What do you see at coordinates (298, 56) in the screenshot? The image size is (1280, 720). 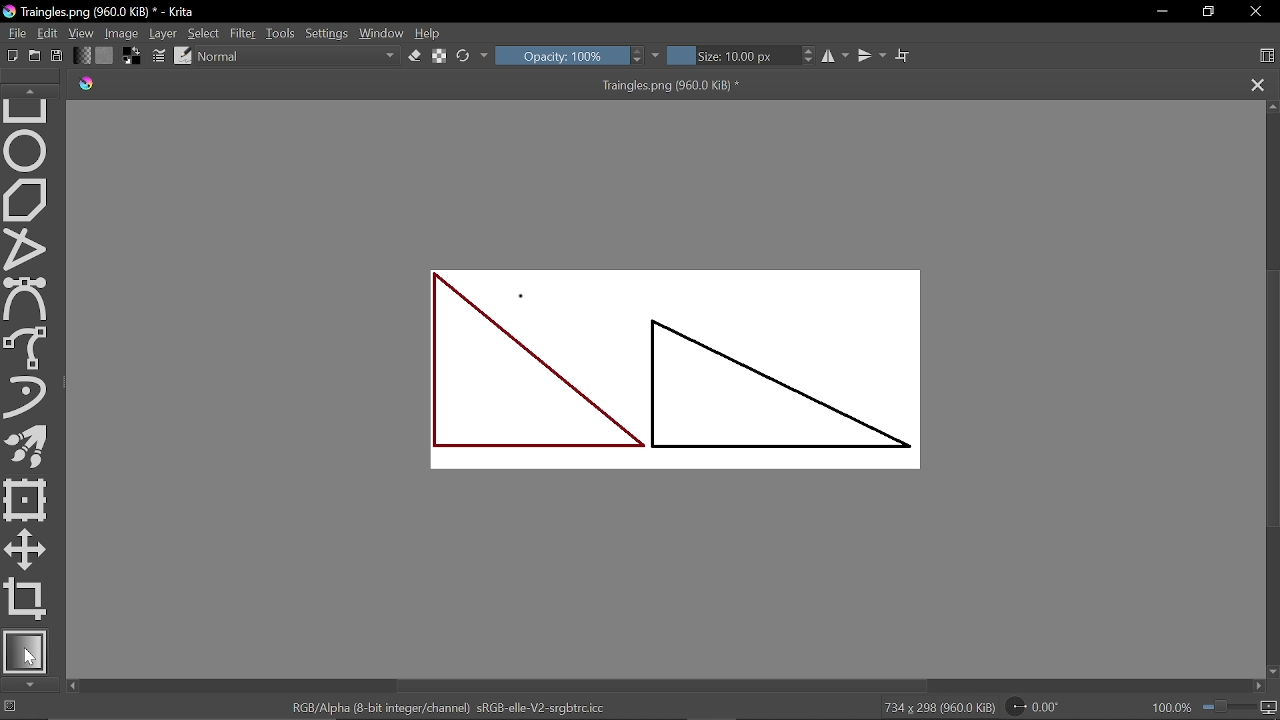 I see `Normal` at bounding box center [298, 56].